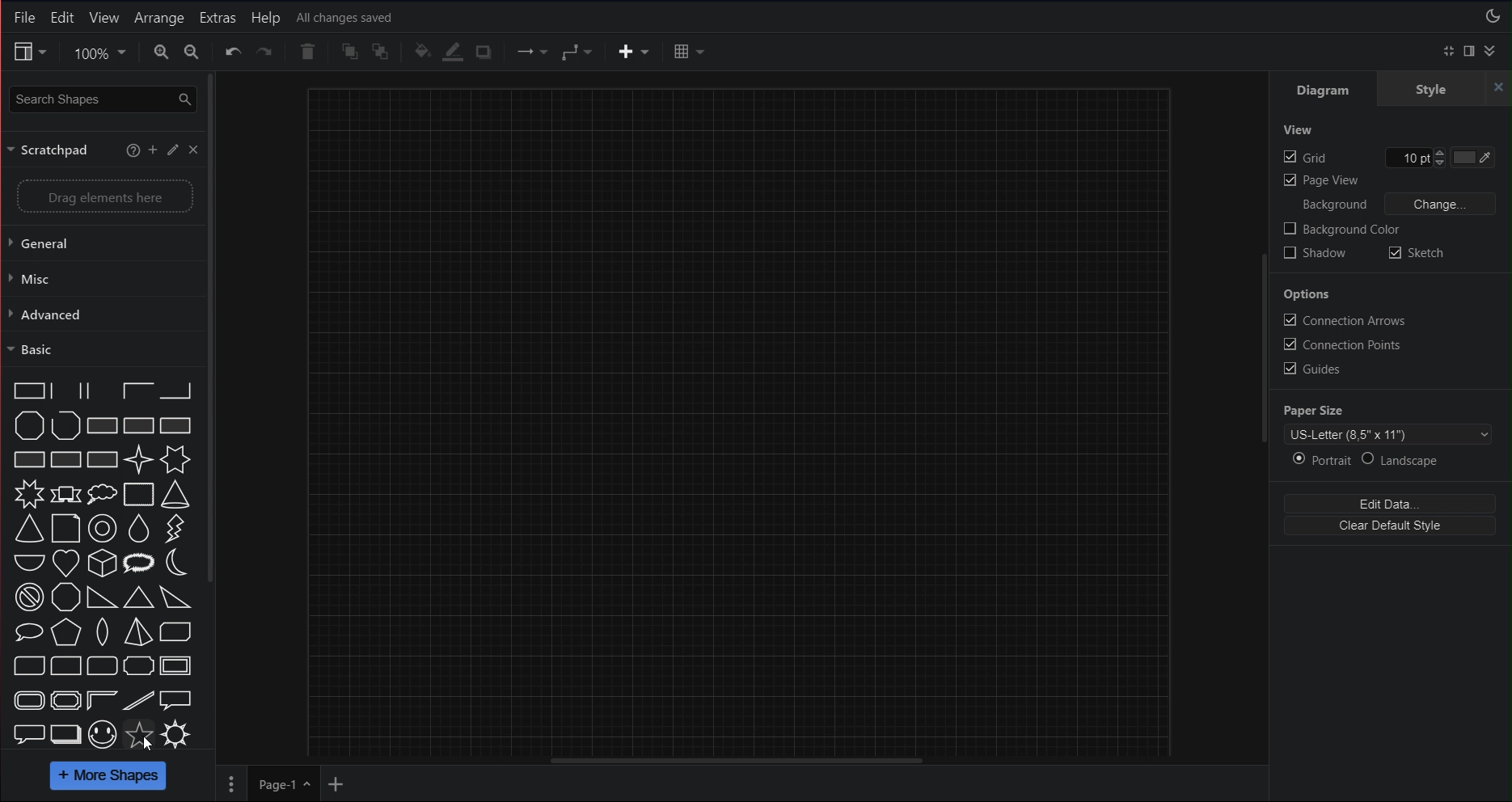 The image size is (1512, 802). Describe the element at coordinates (423, 49) in the screenshot. I see `Paint` at that location.